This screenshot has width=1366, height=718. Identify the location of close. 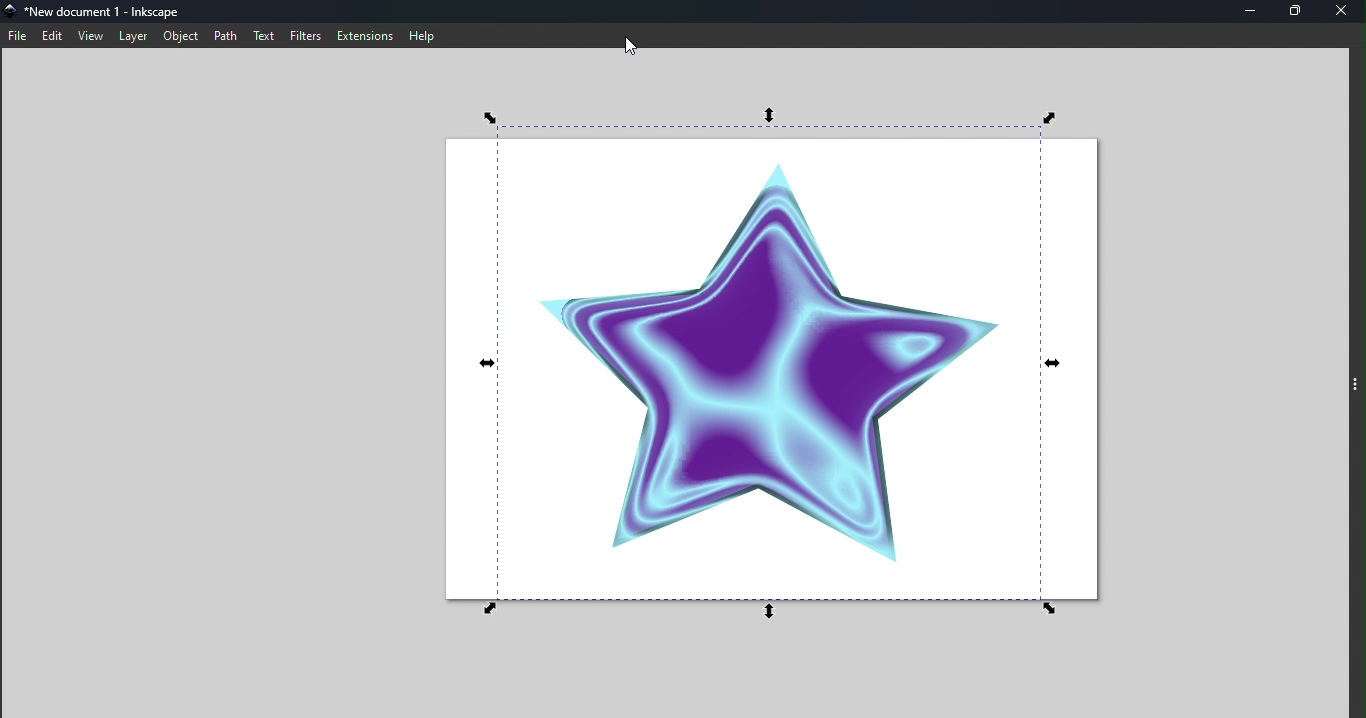
(1345, 11).